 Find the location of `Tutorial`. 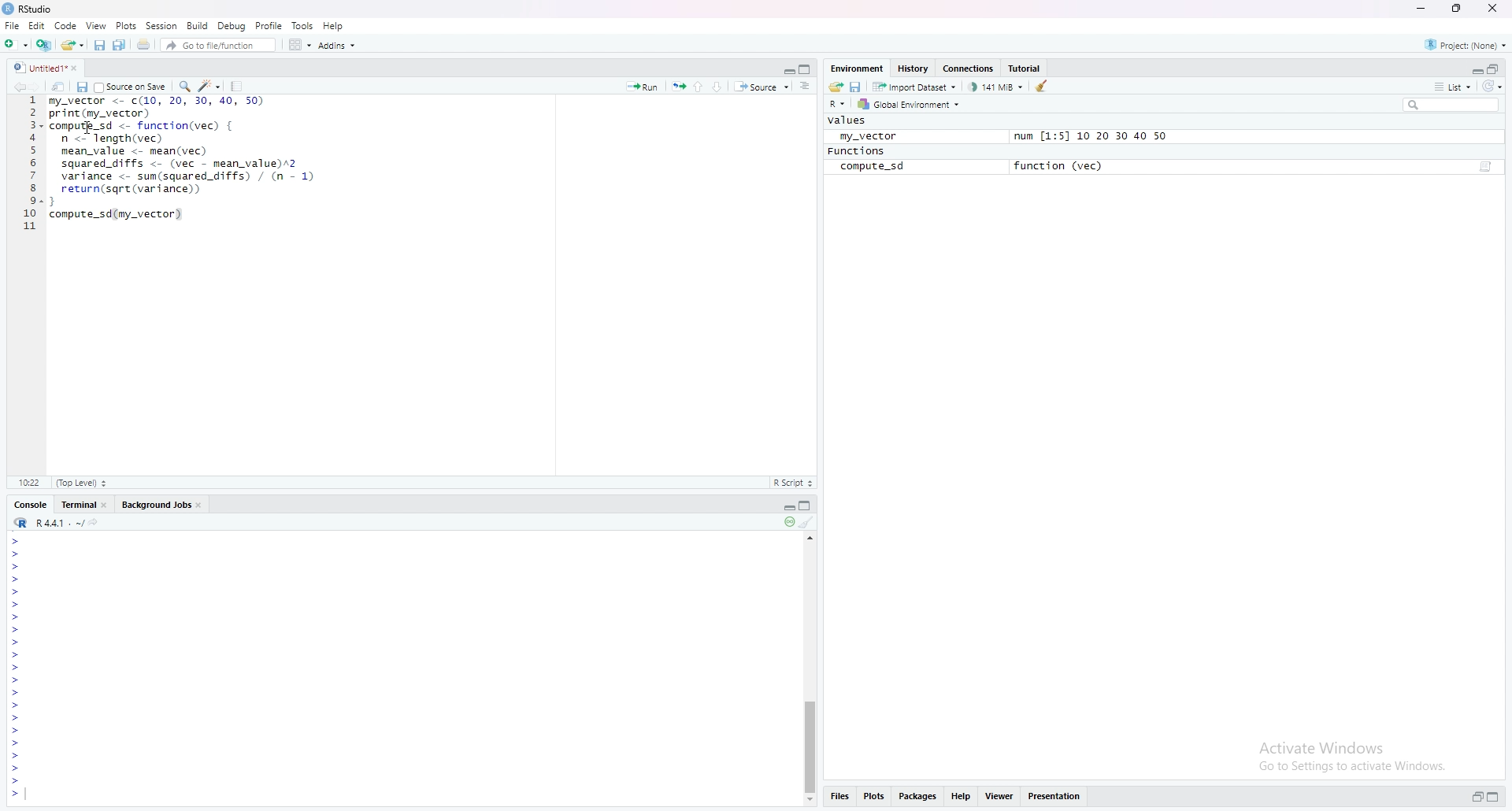

Tutorial is located at coordinates (1026, 67).